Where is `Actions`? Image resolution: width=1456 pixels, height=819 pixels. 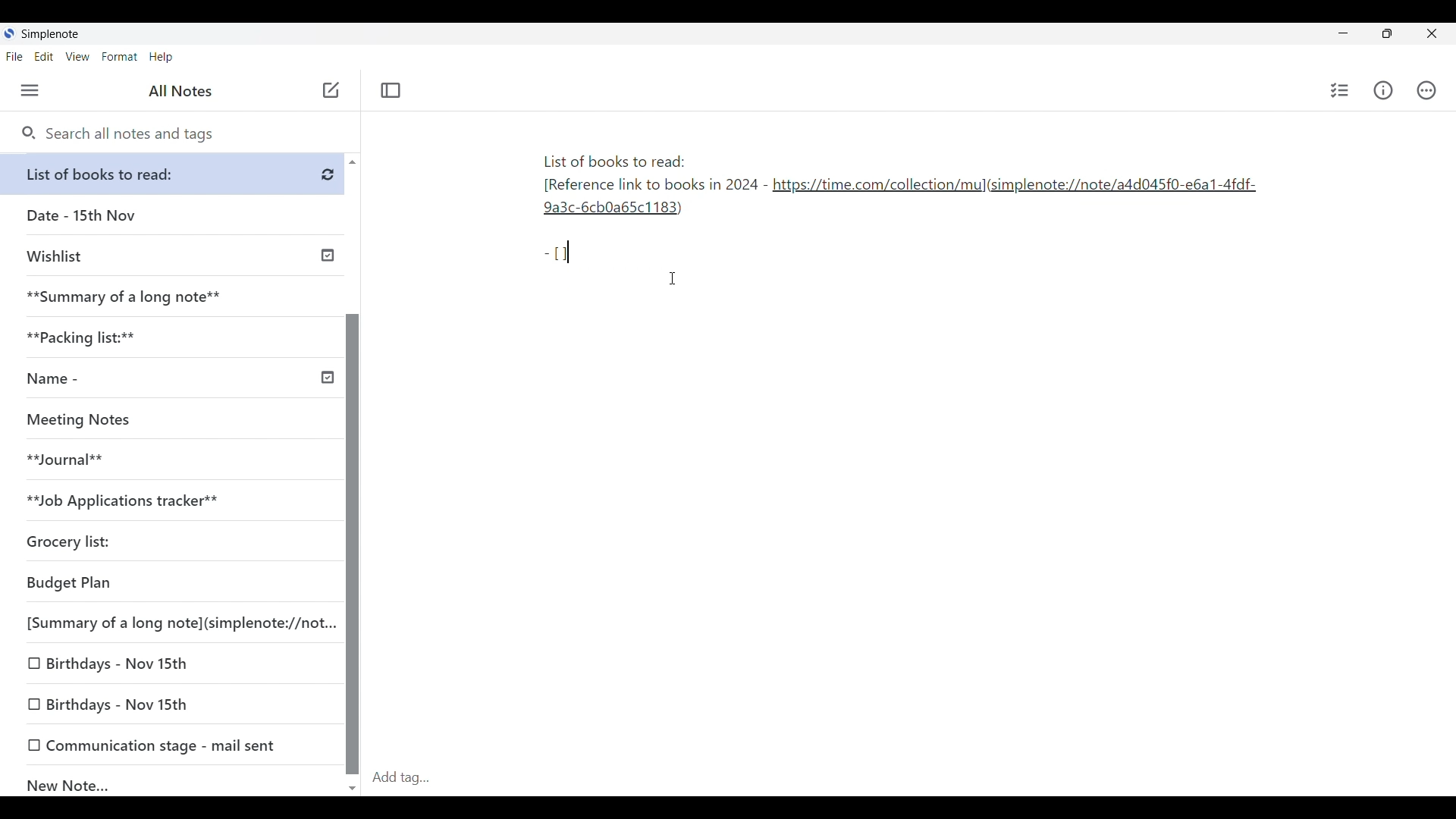
Actions is located at coordinates (1426, 90).